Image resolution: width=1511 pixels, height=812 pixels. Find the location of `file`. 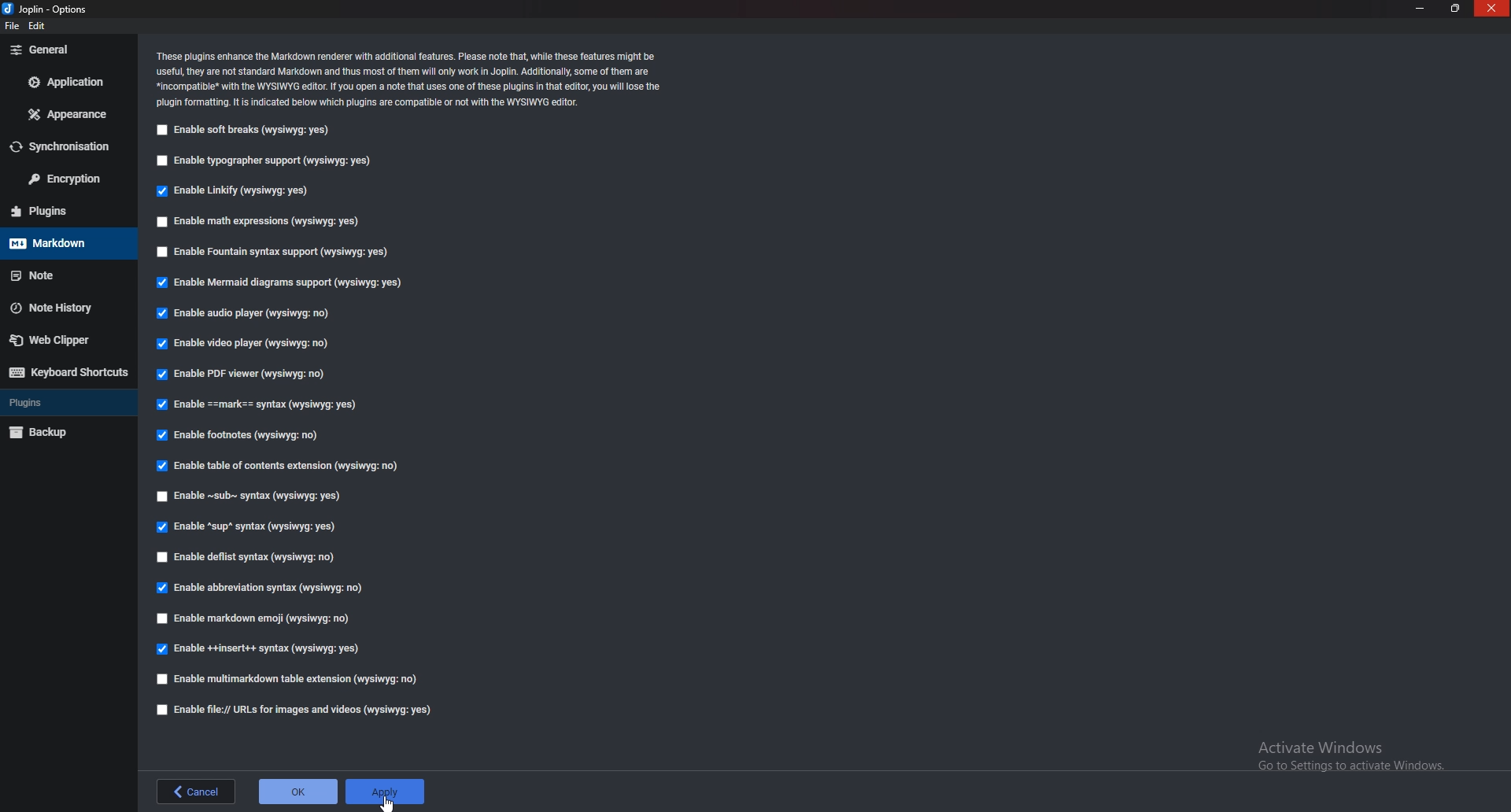

file is located at coordinates (11, 29).